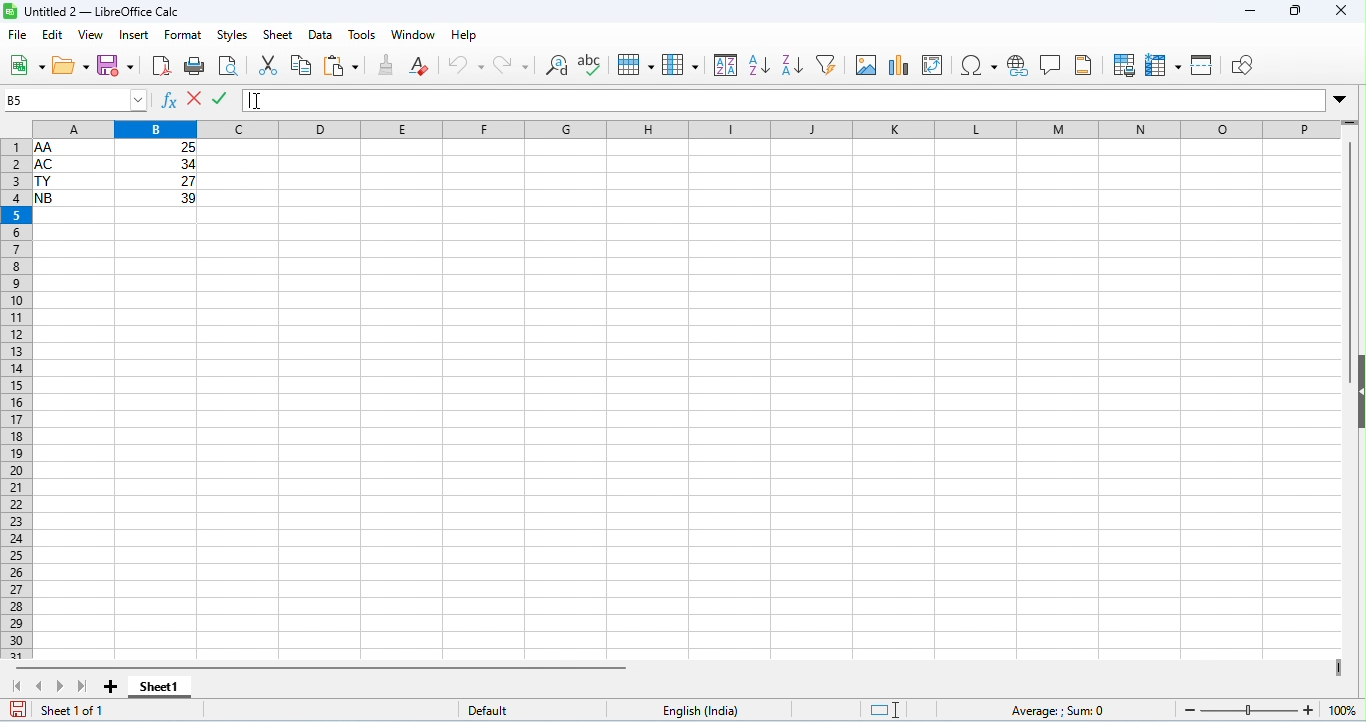 Image resolution: width=1366 pixels, height=722 pixels. I want to click on save, so click(20, 708).